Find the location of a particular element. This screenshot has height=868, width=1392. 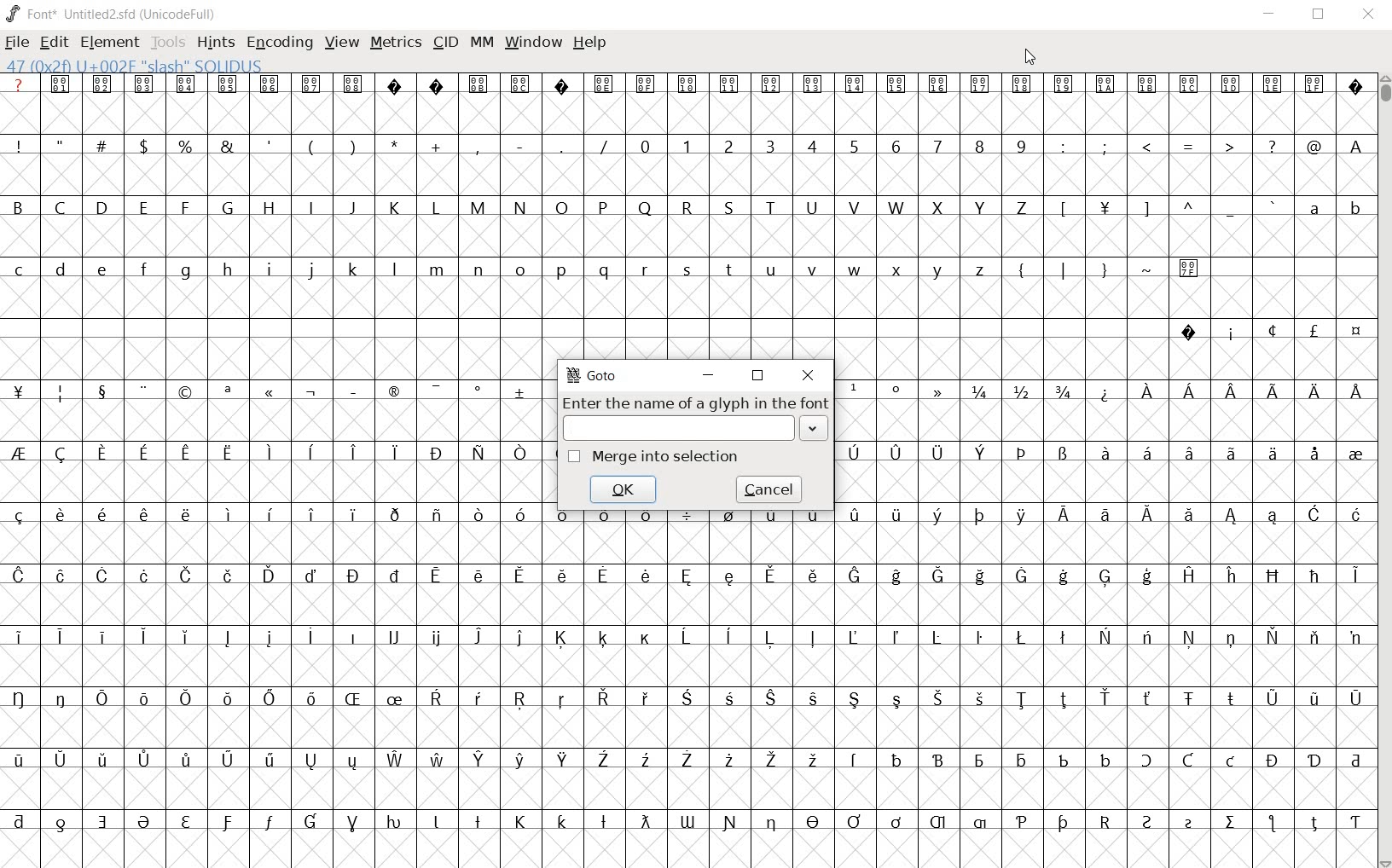

empty cells is located at coordinates (1099, 421).